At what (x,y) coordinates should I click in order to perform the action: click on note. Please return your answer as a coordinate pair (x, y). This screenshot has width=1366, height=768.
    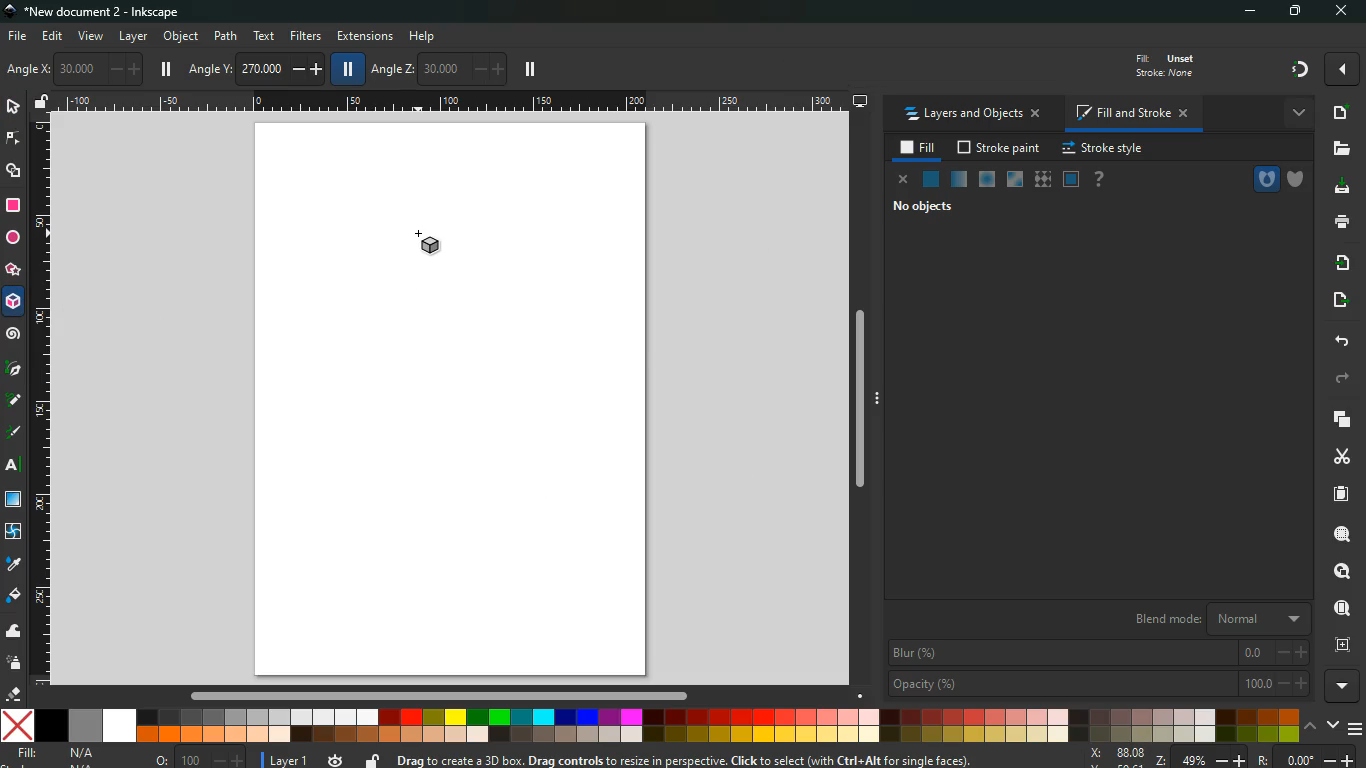
    Looking at the image, I should click on (16, 399).